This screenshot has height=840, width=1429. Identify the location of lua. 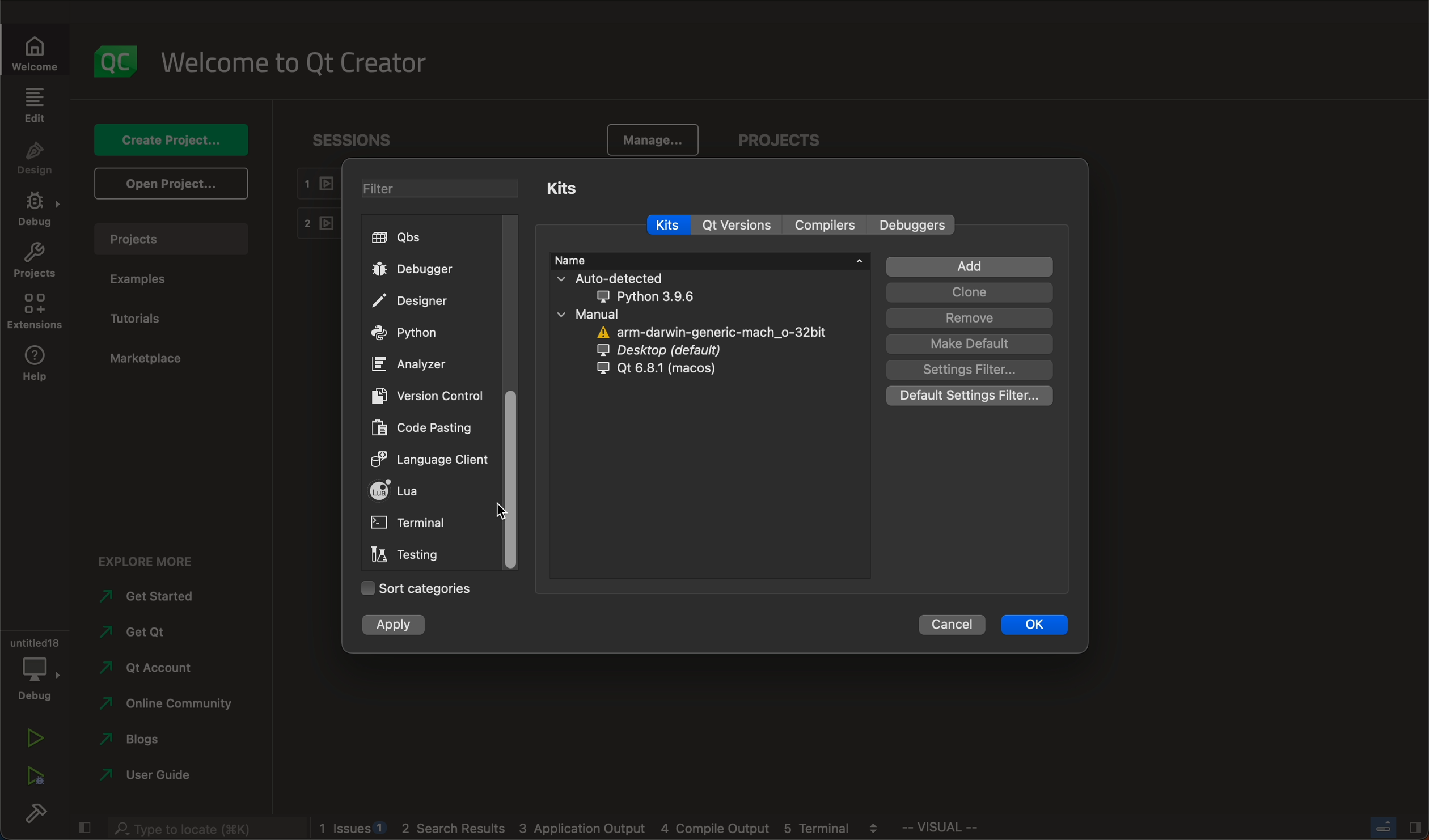
(429, 490).